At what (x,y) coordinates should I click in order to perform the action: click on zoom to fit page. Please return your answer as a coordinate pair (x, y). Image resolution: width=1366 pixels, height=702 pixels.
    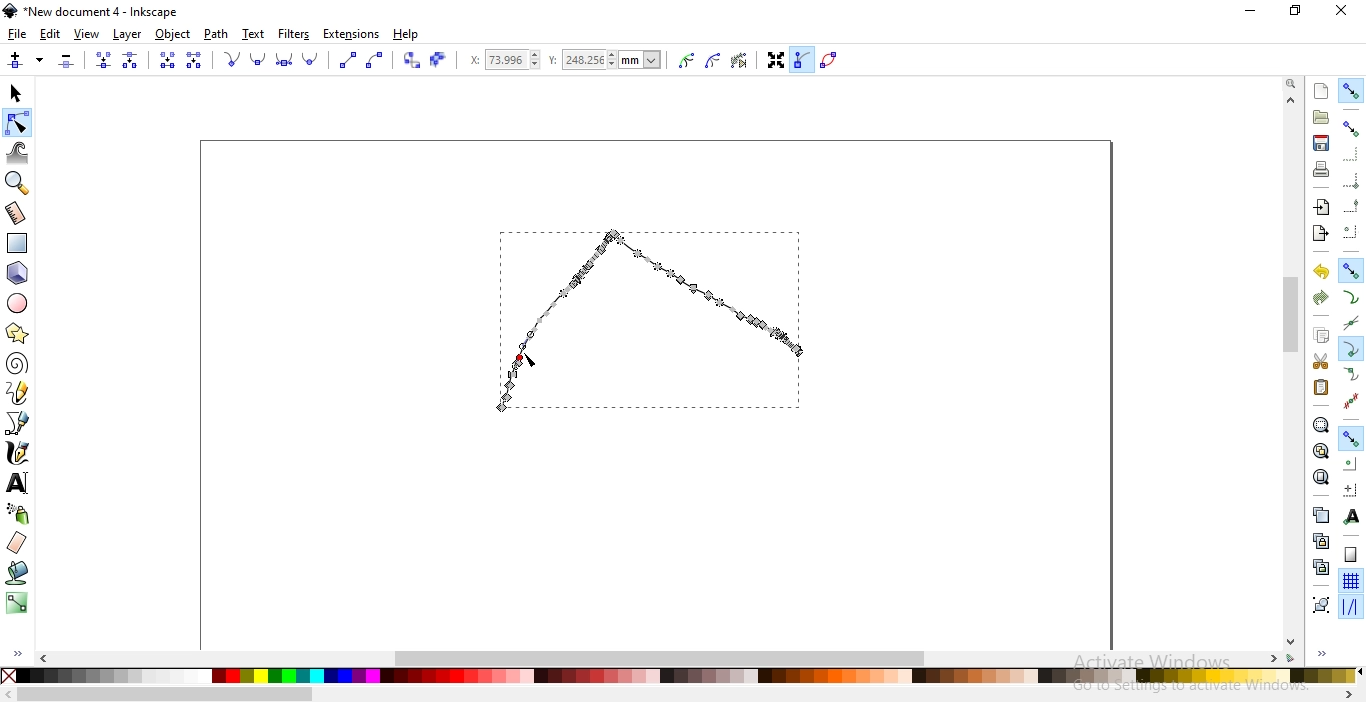
    Looking at the image, I should click on (1320, 477).